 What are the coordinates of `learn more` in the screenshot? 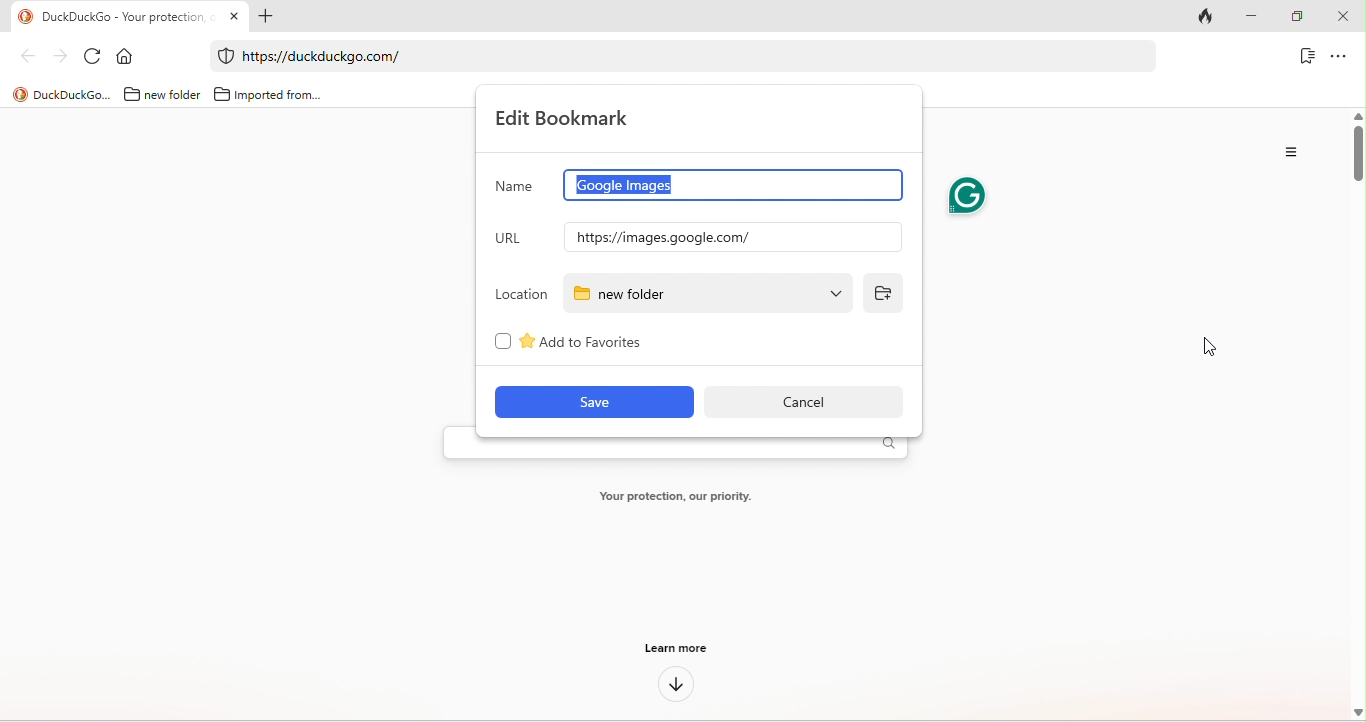 It's located at (677, 651).